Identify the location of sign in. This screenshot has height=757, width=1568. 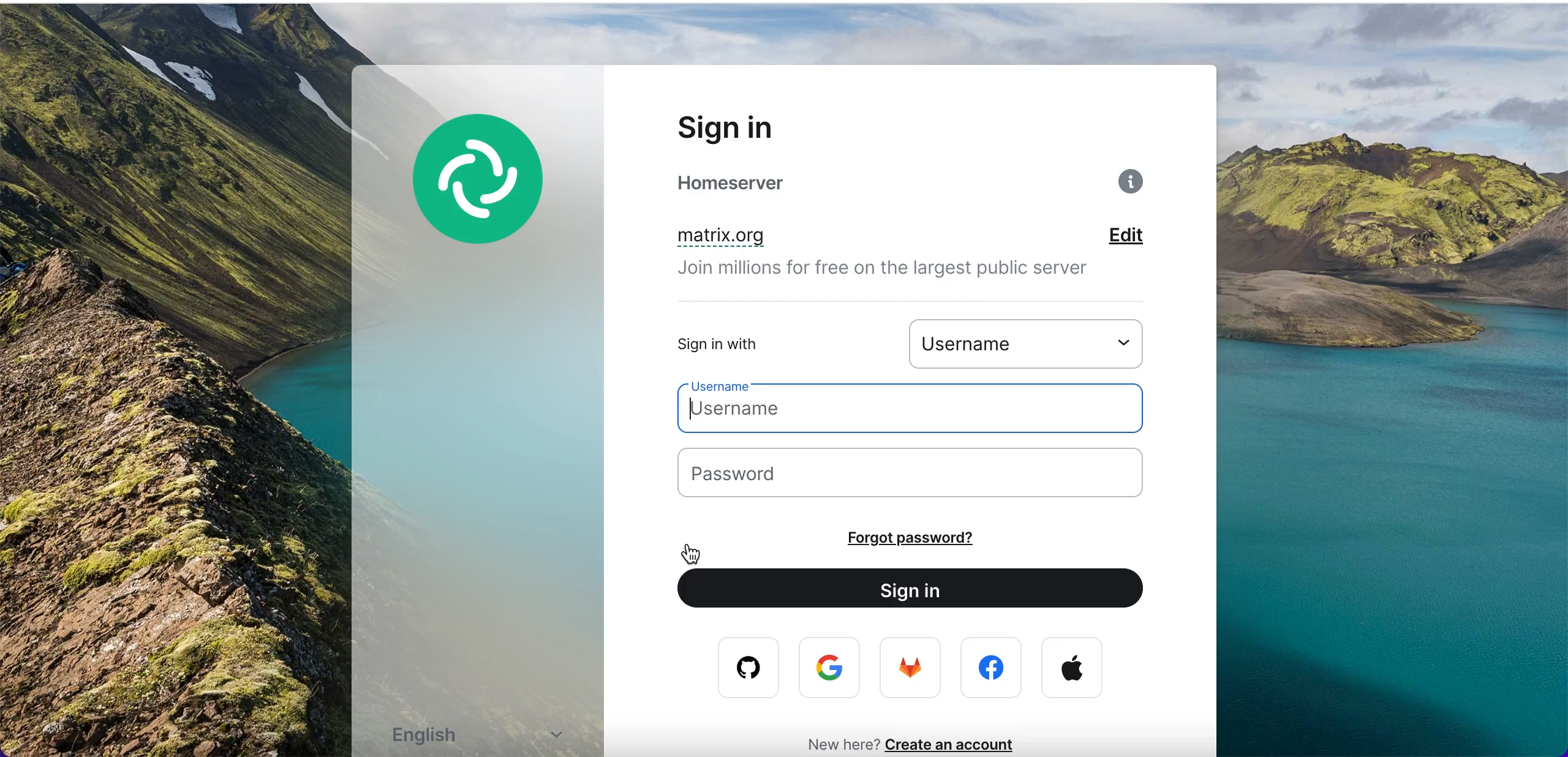
(758, 127).